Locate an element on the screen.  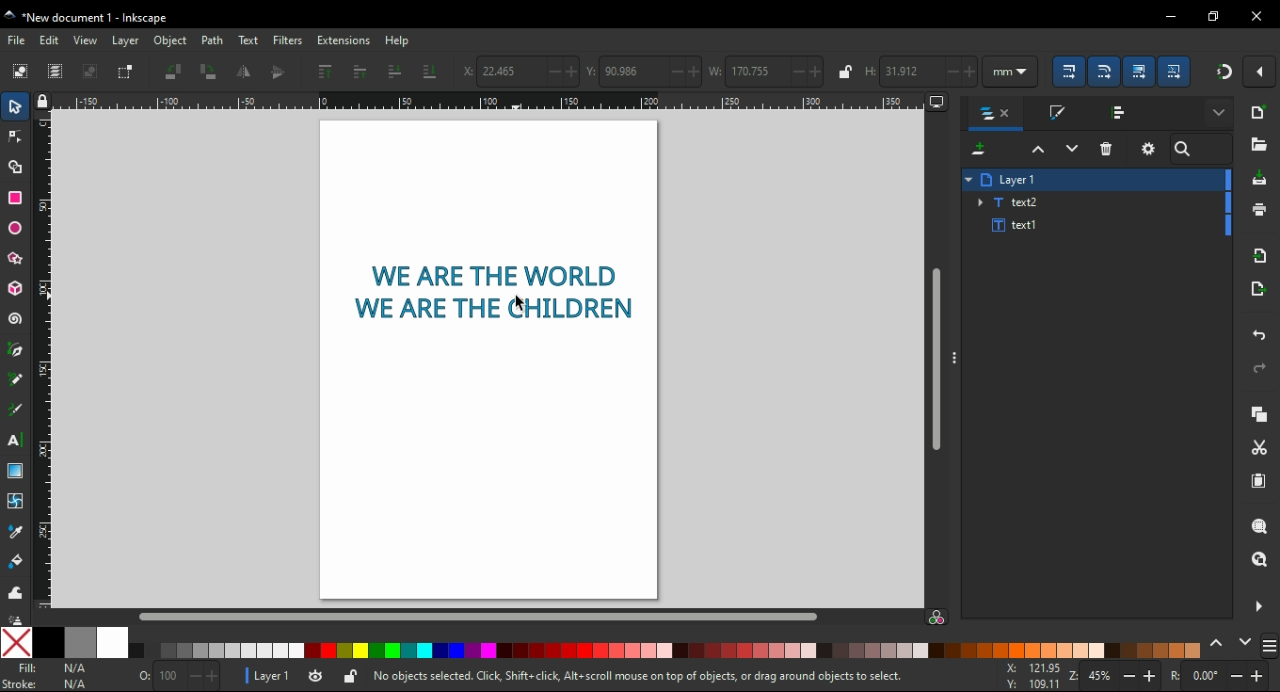
rotation is located at coordinates (1220, 676).